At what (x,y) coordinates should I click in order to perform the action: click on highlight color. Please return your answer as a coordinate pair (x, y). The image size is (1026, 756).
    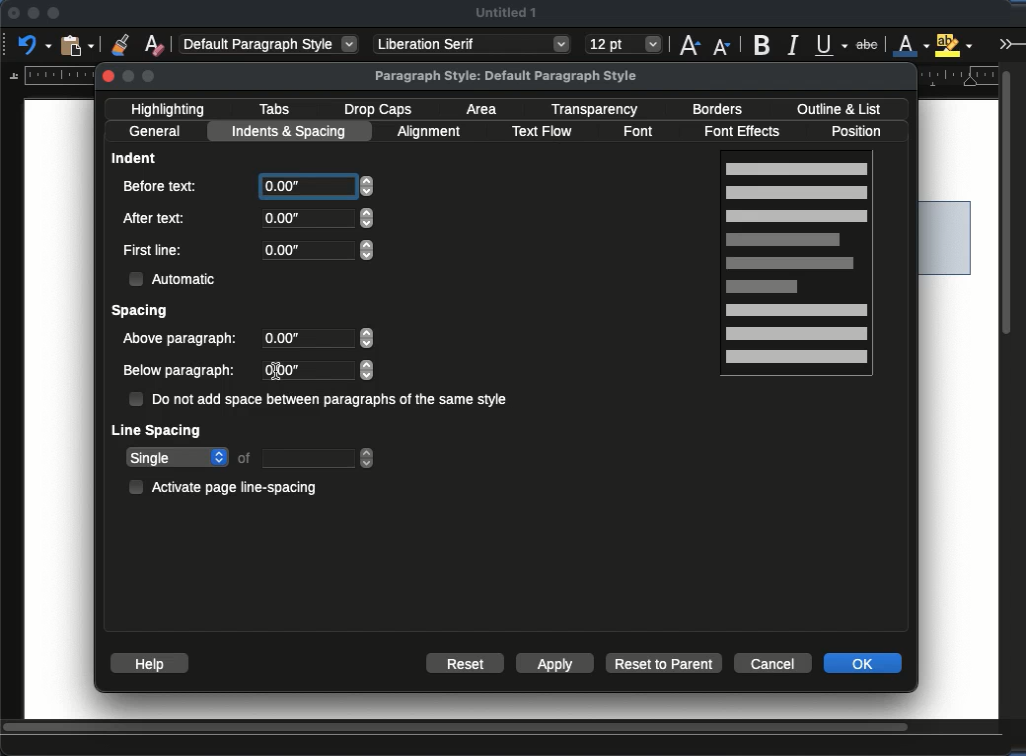
    Looking at the image, I should click on (954, 43).